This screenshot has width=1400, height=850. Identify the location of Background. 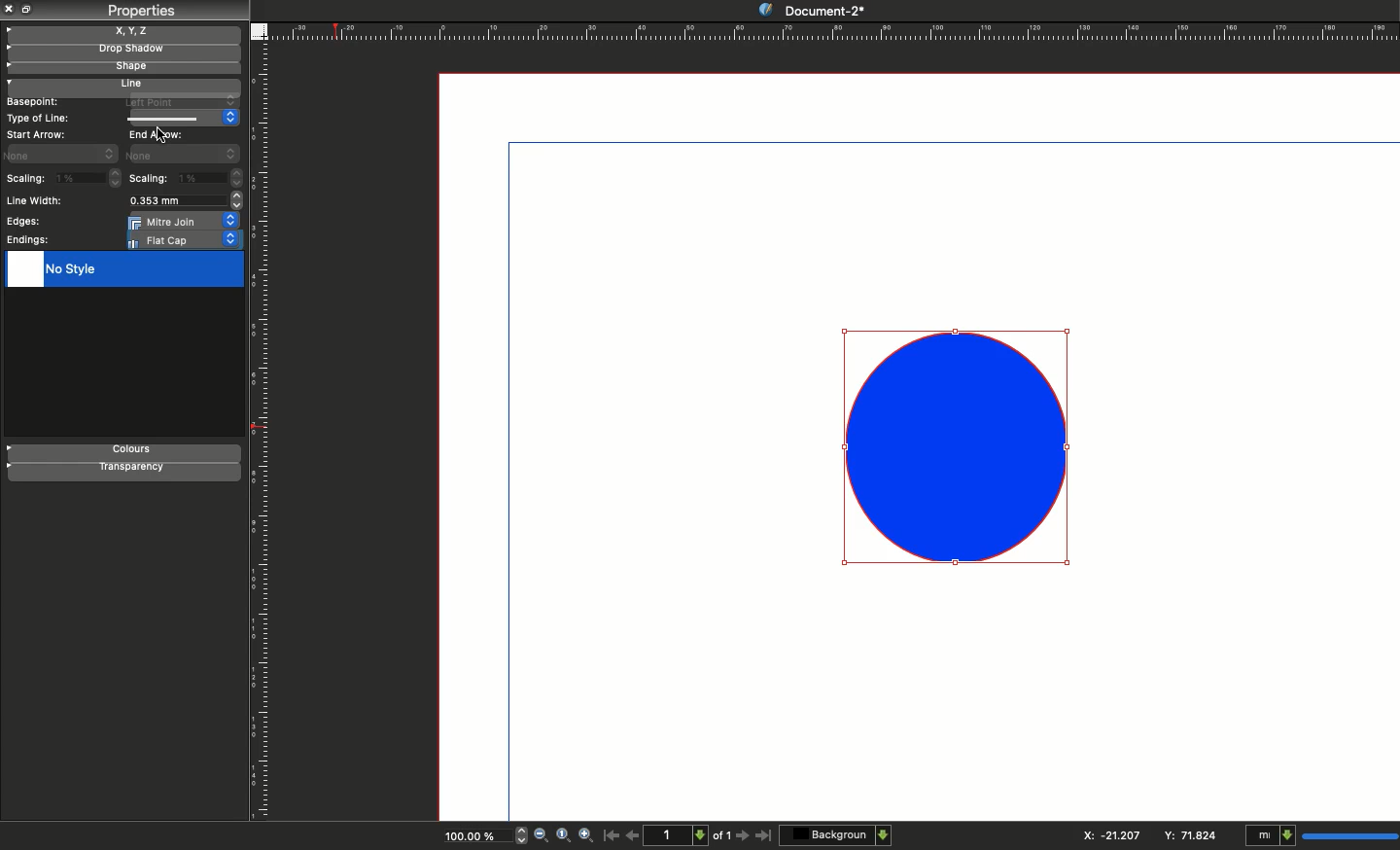
(837, 834).